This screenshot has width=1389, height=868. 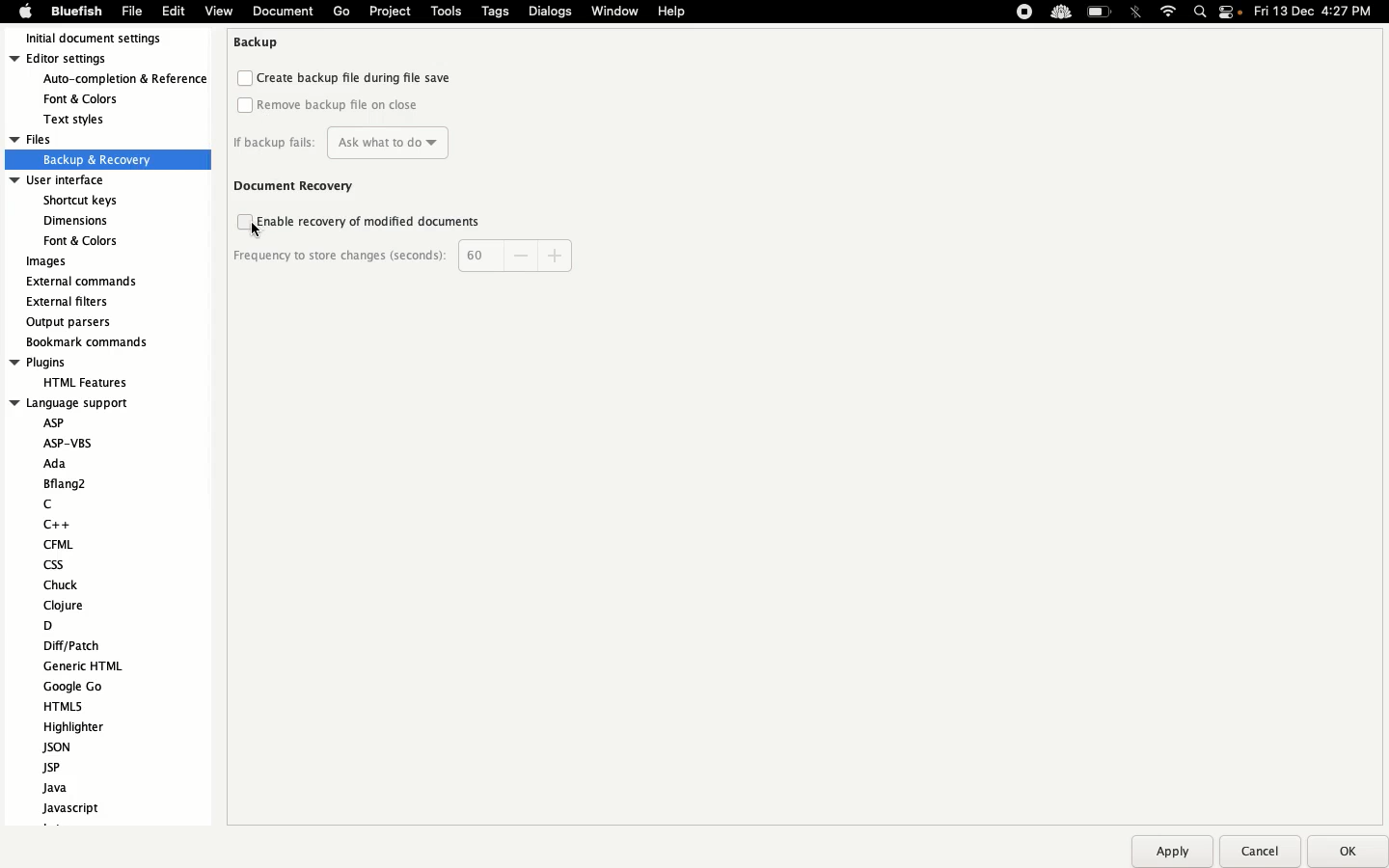 I want to click on Dialogs, so click(x=551, y=10).